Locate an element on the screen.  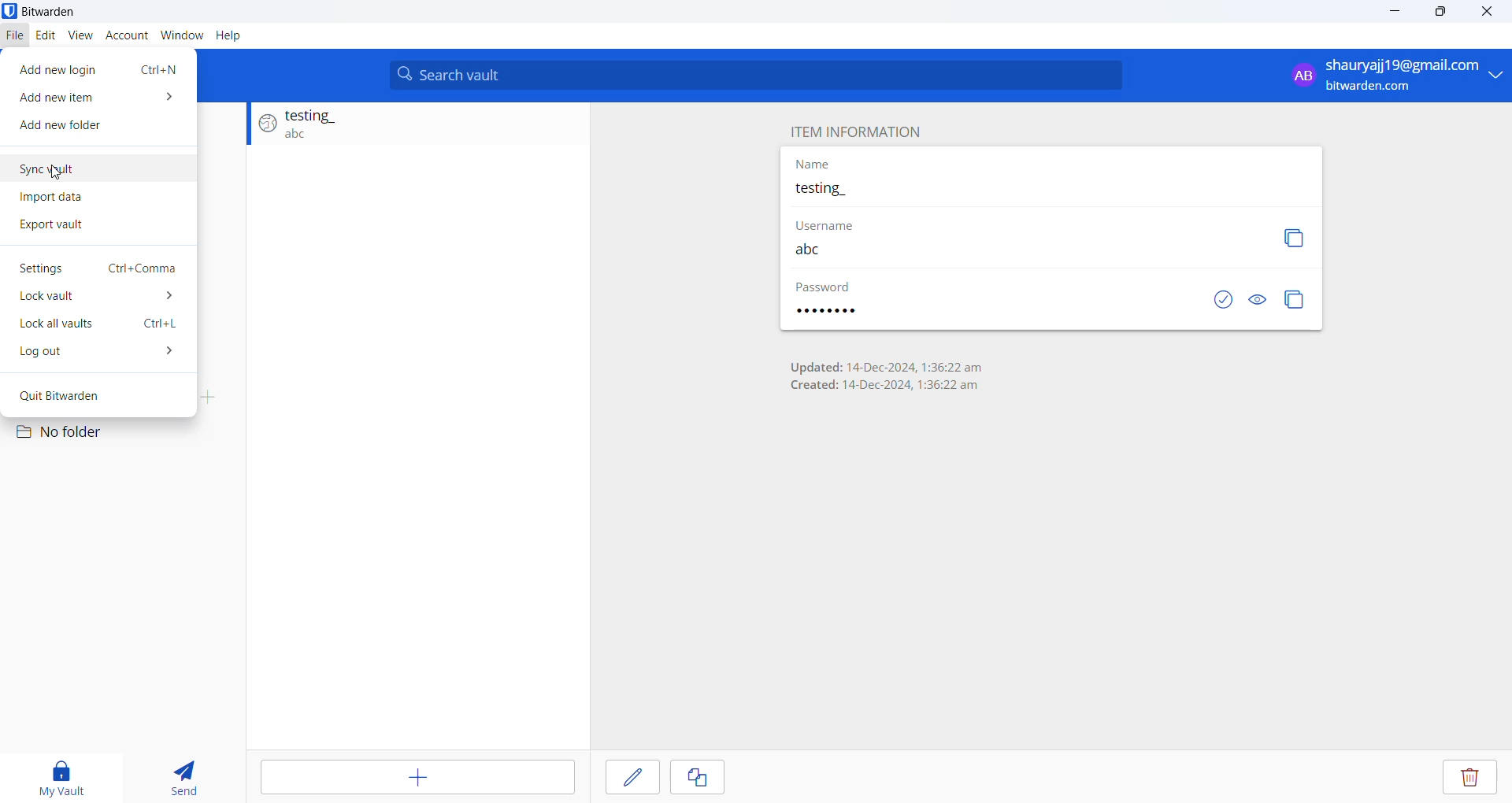
Search bar is located at coordinates (757, 76).